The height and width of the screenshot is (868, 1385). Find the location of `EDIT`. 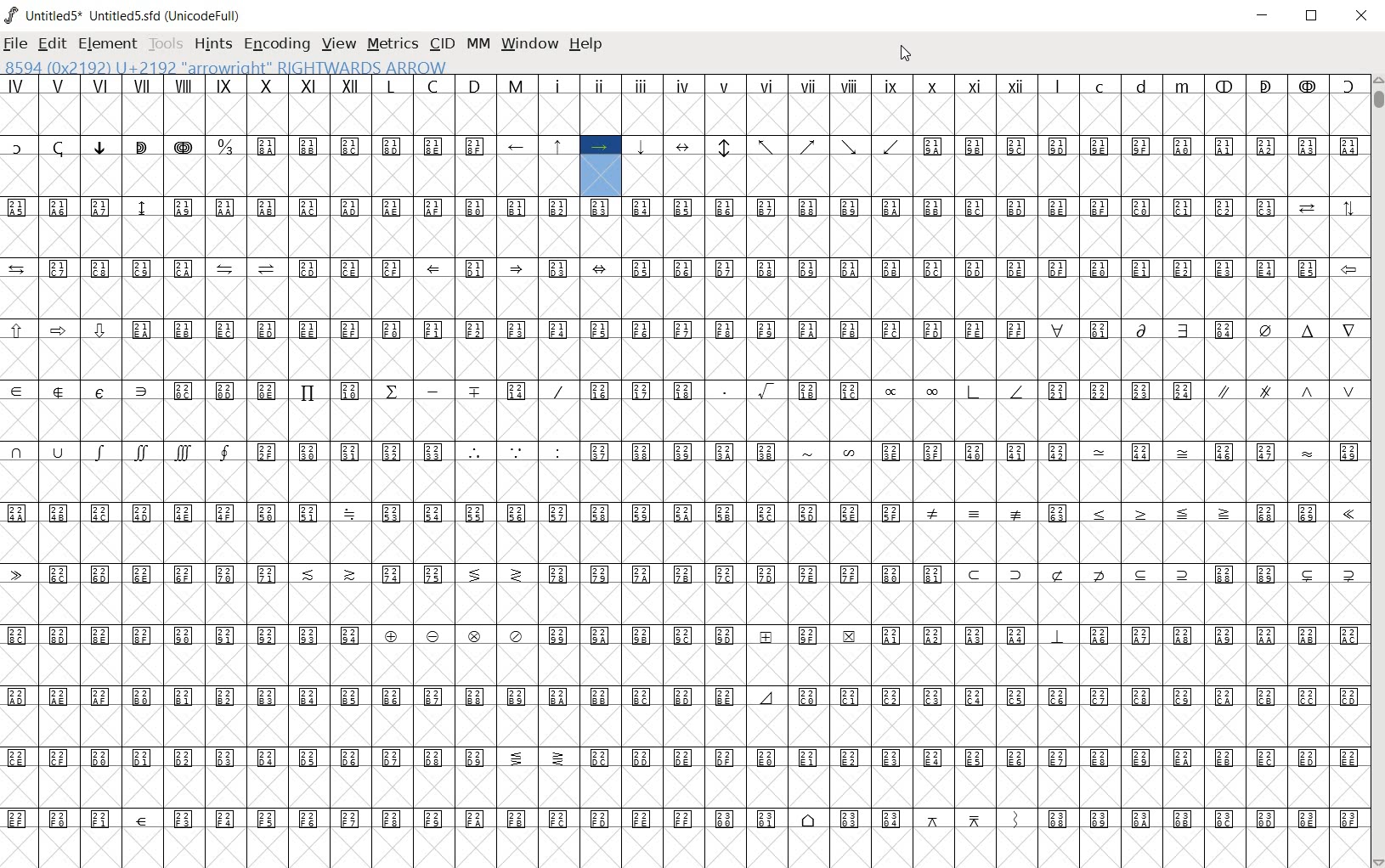

EDIT is located at coordinates (50, 43).